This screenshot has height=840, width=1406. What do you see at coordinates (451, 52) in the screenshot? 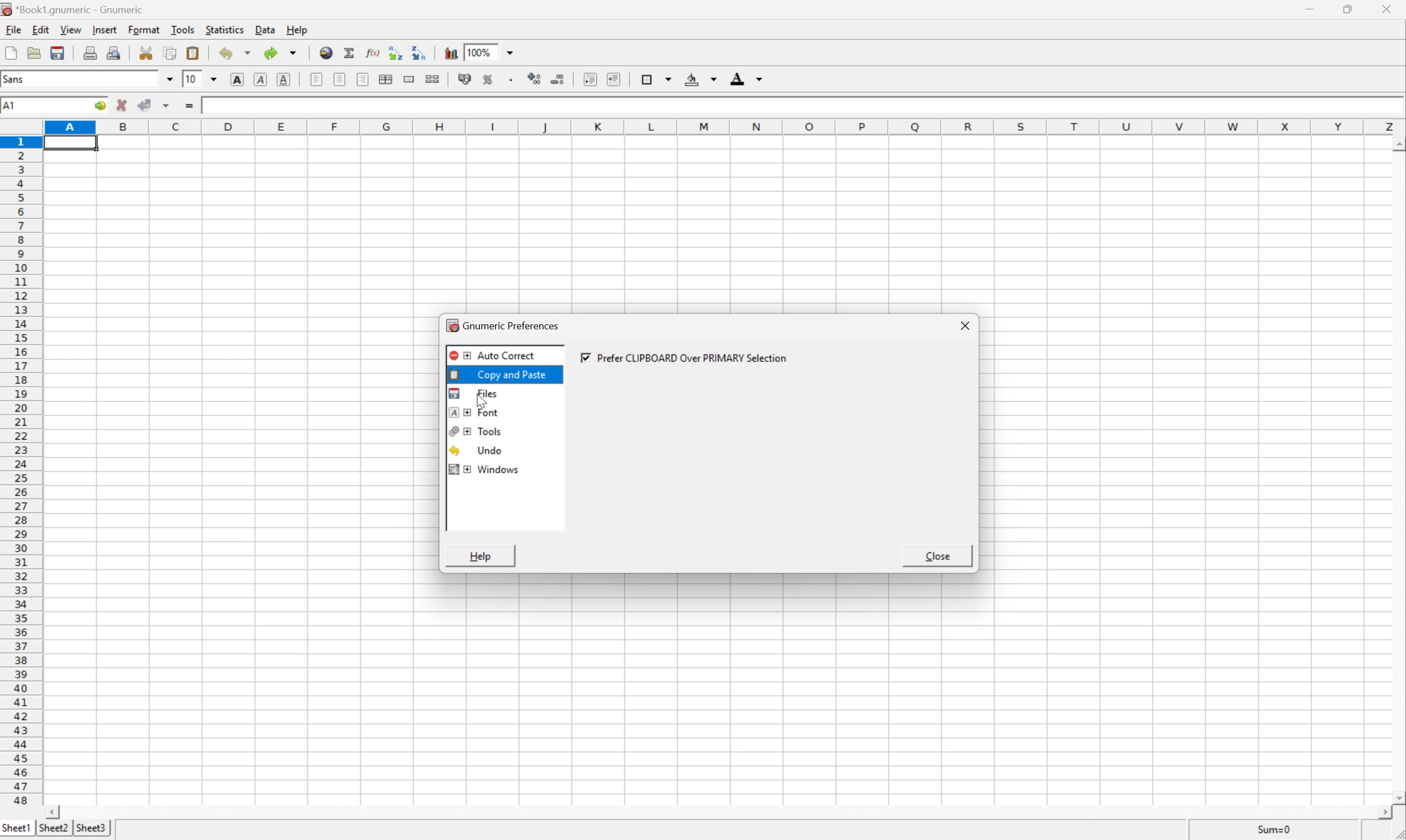
I see `insert chart` at bounding box center [451, 52].